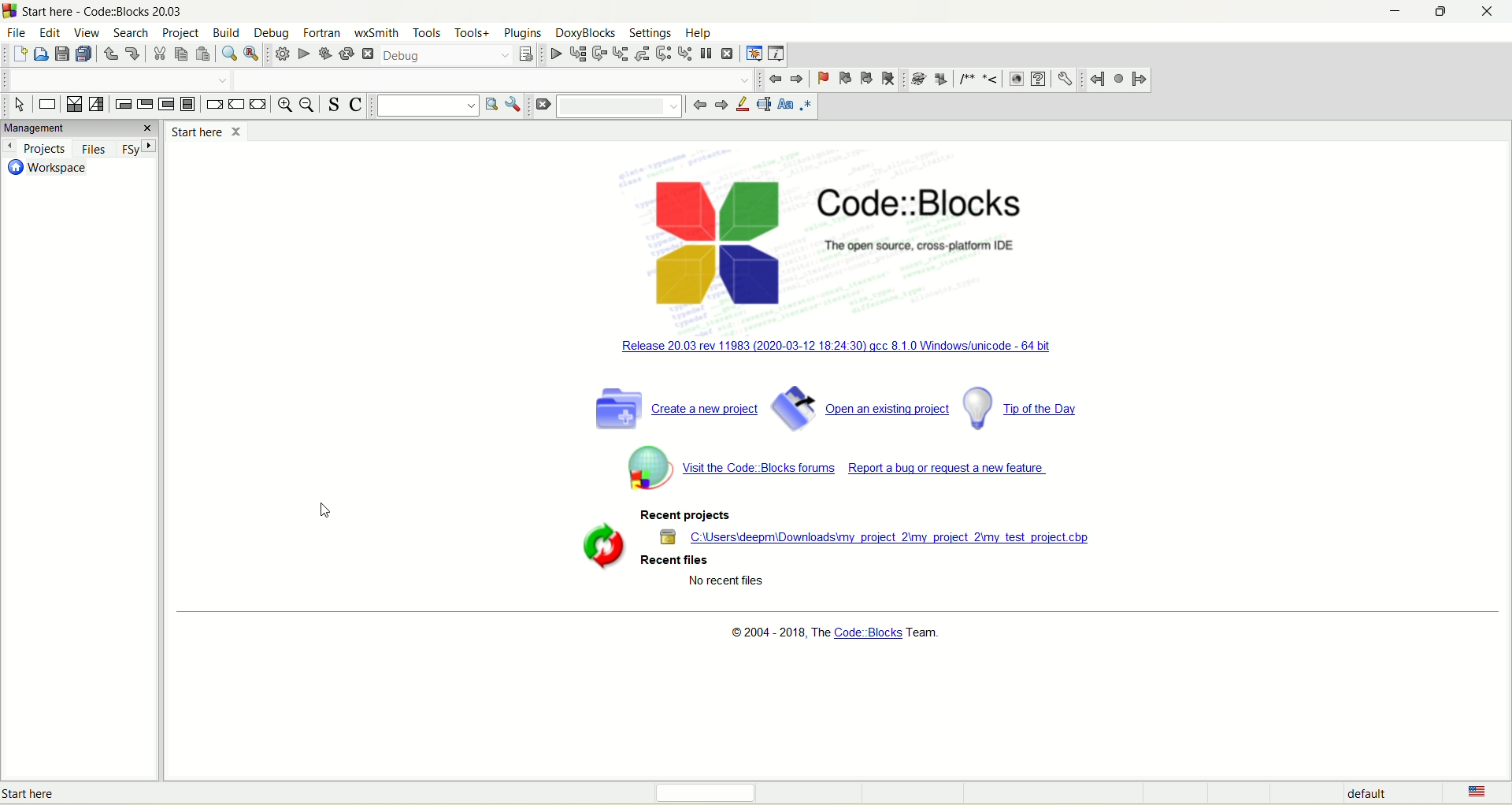 The width and height of the screenshot is (1512, 805). What do you see at coordinates (554, 56) in the screenshot?
I see `debug` at bounding box center [554, 56].